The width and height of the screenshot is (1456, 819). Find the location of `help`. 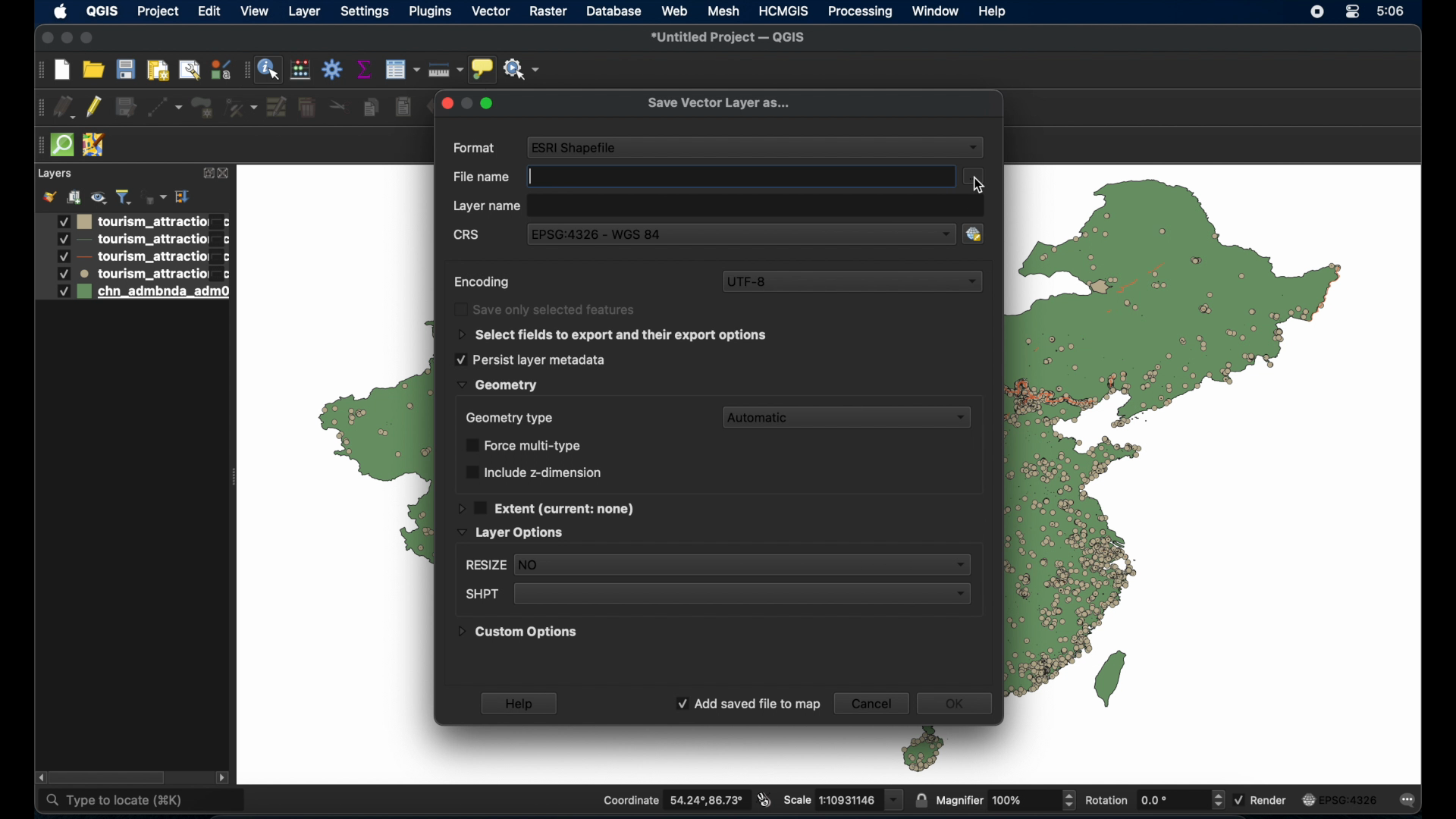

help is located at coordinates (993, 11).